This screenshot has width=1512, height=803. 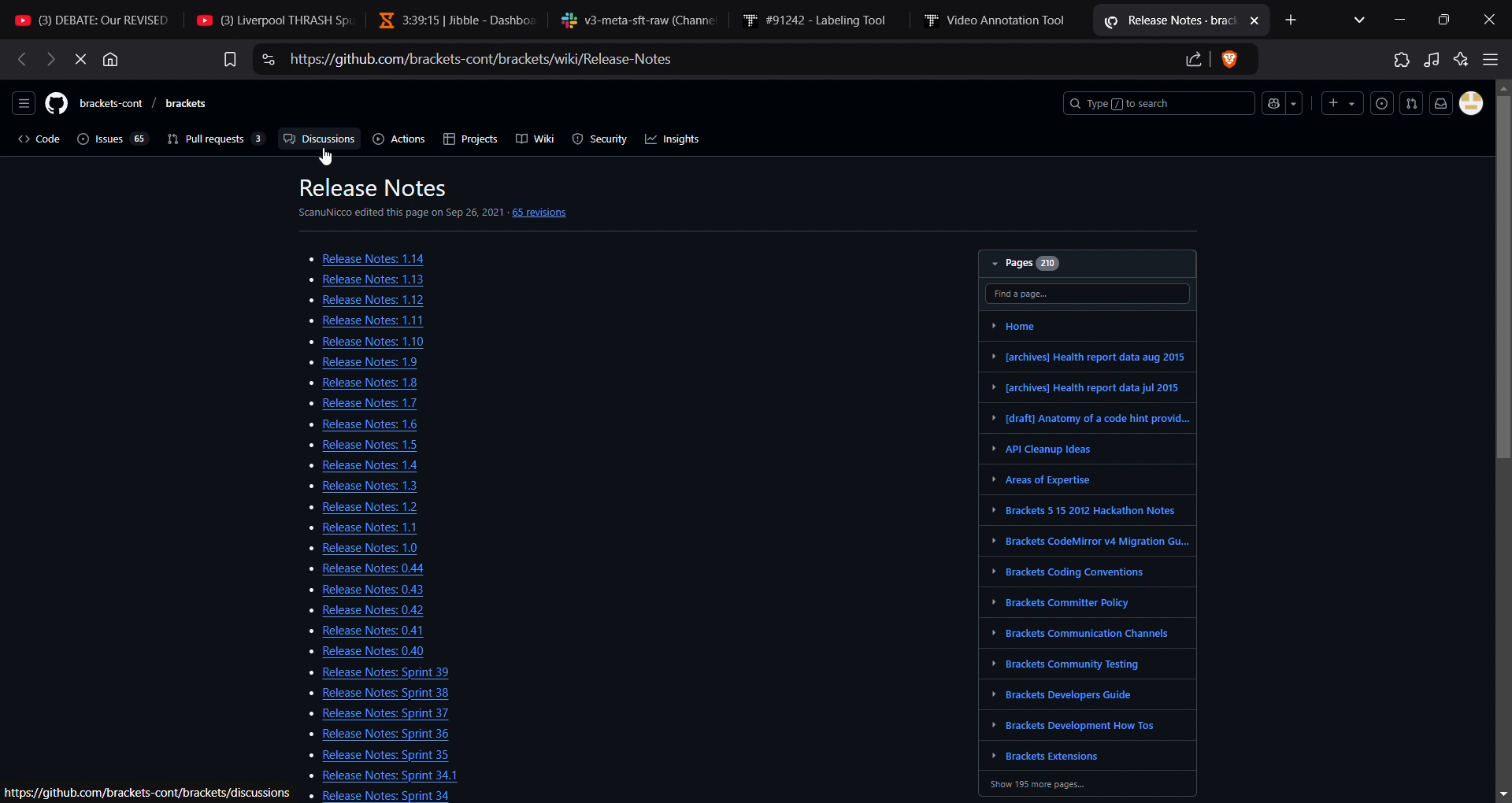 I want to click on o Release Notes: 1.6, so click(x=336, y=424).